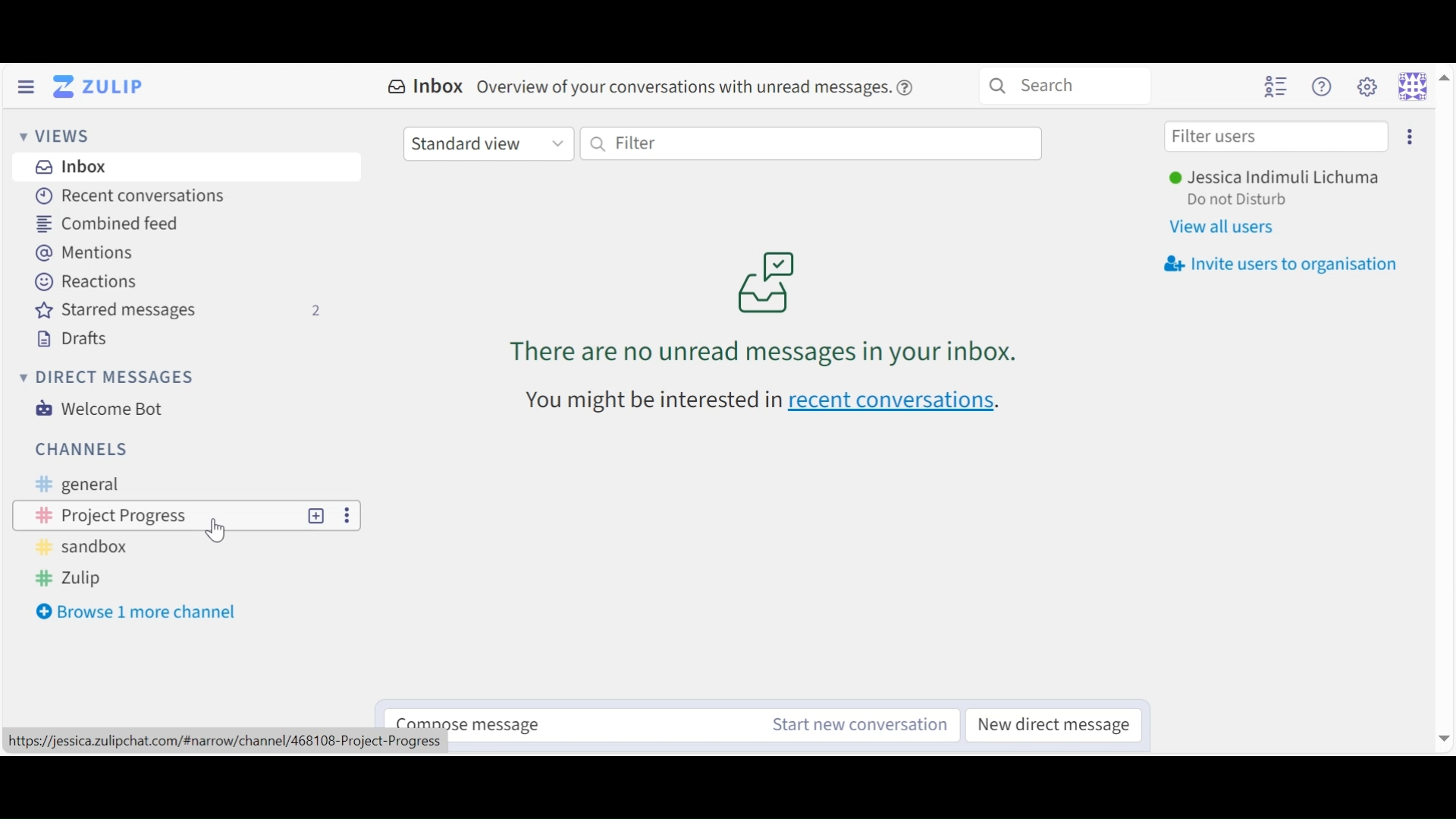 The image size is (1456, 819). I want to click on Filter user, so click(1273, 137).